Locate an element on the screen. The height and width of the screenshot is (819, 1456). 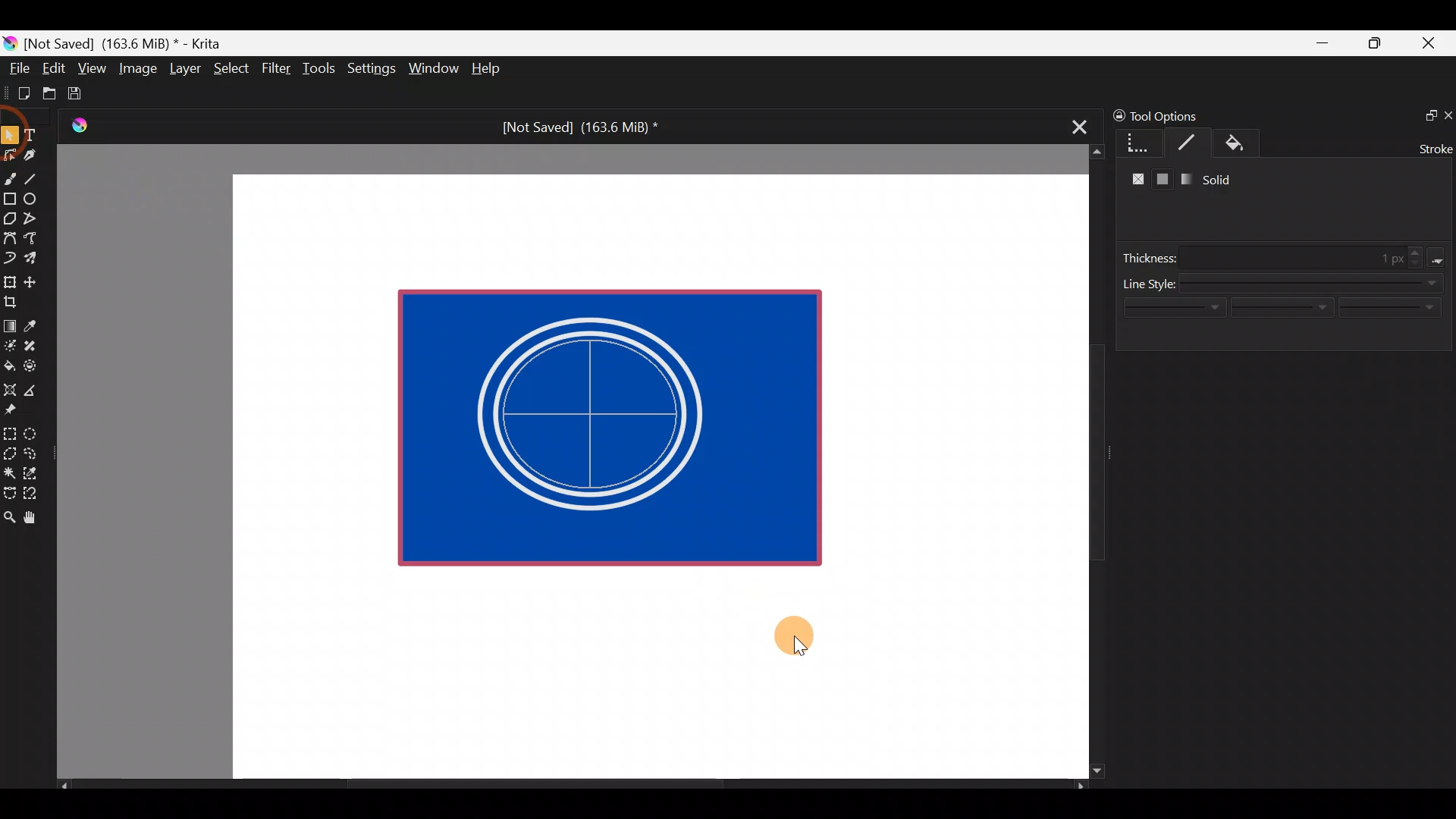
Bezier curve selection tool is located at coordinates (9, 491).